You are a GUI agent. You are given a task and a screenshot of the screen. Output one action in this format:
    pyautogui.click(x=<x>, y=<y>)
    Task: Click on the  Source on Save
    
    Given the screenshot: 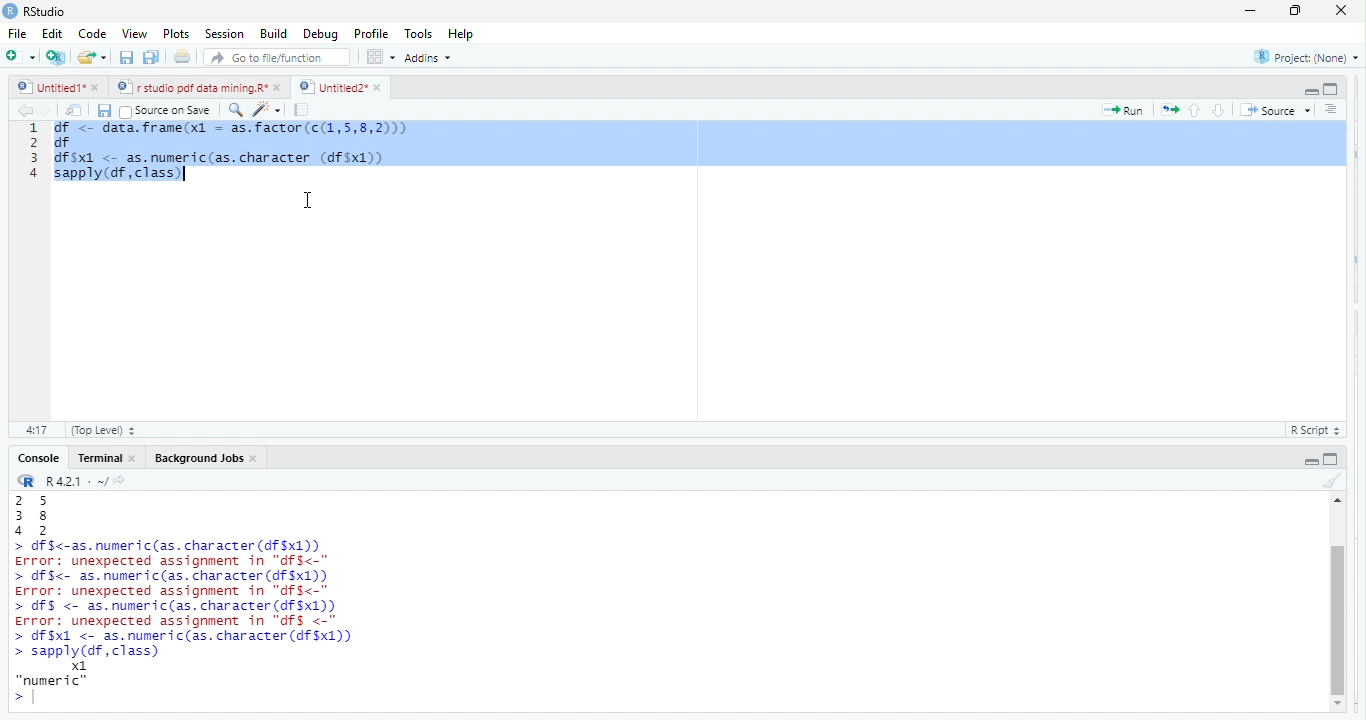 What is the action you would take?
    pyautogui.click(x=169, y=110)
    